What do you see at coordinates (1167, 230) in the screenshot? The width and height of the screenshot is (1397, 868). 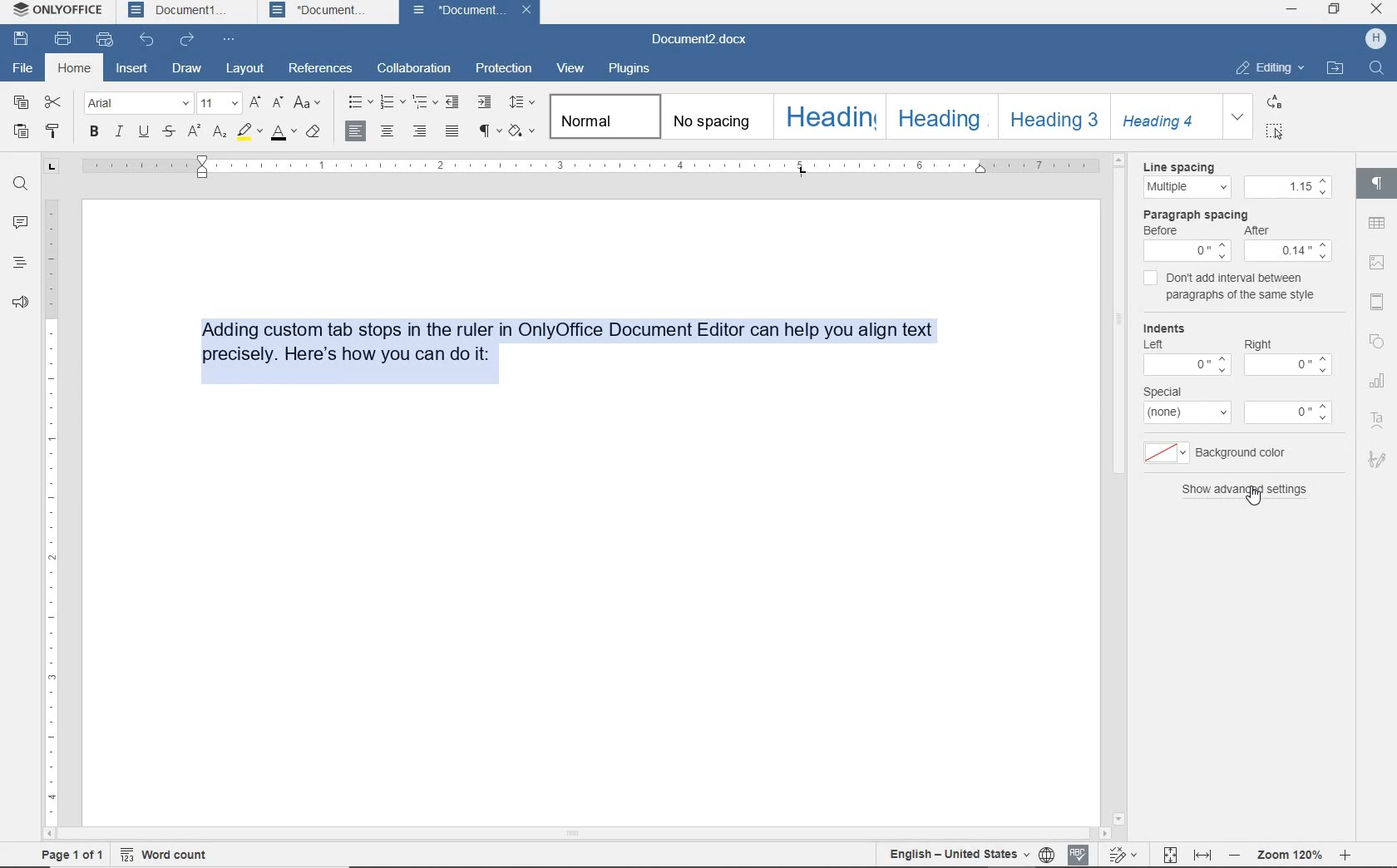 I see `before` at bounding box center [1167, 230].